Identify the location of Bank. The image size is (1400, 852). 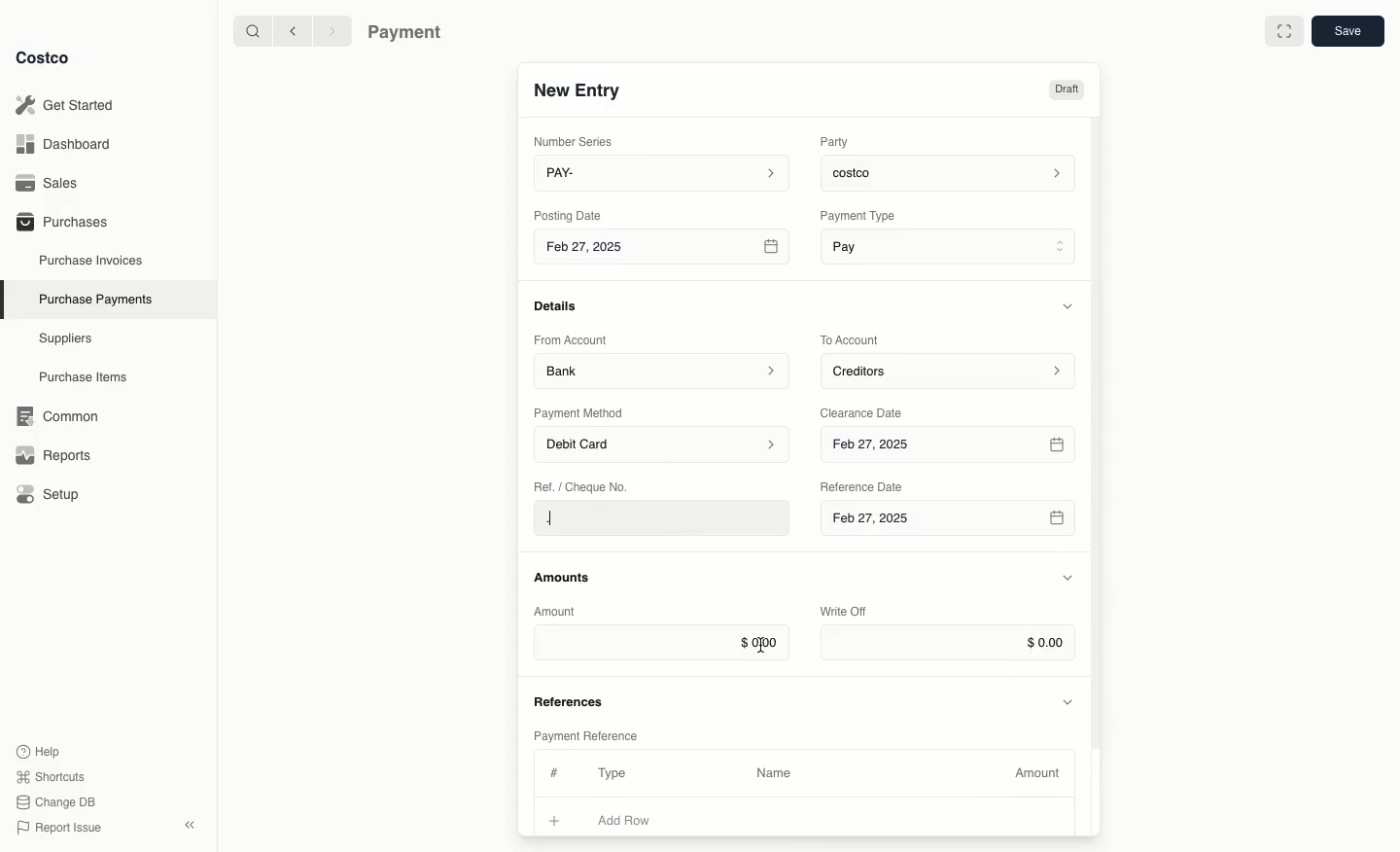
(662, 370).